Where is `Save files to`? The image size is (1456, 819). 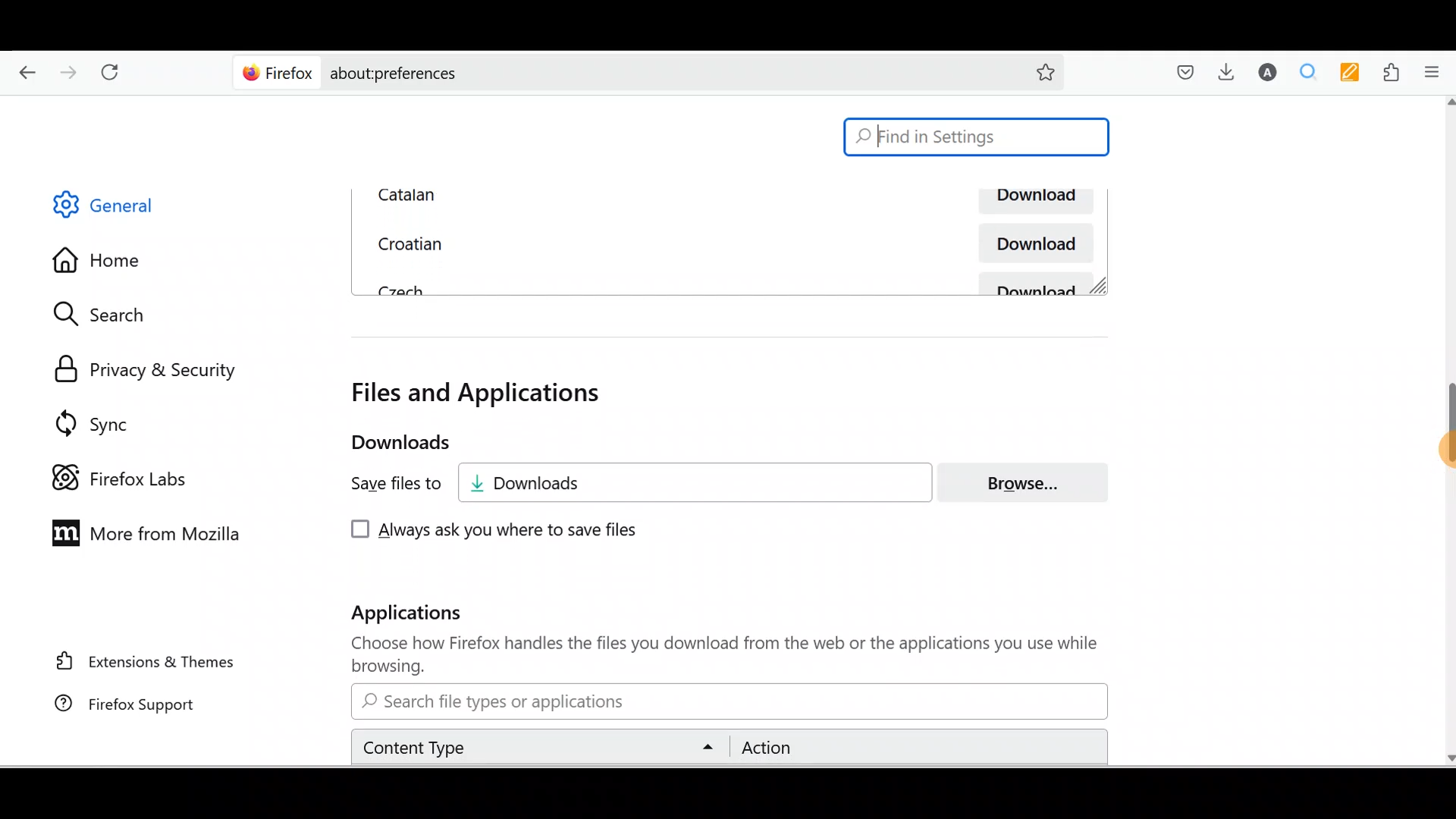
Save files to is located at coordinates (384, 485).